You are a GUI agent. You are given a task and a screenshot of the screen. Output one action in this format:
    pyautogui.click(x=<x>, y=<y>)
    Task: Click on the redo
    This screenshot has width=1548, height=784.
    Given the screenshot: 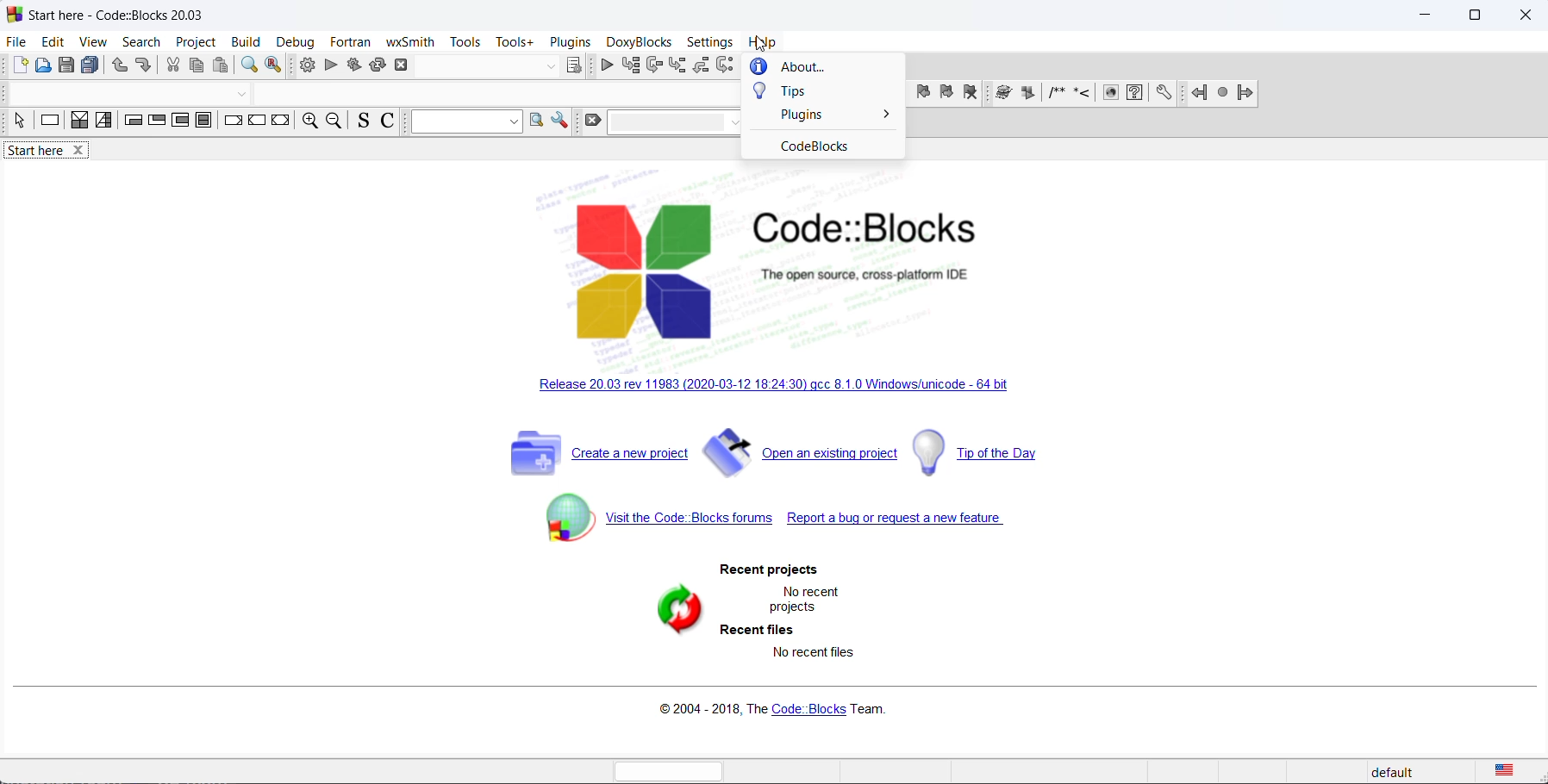 What is the action you would take?
    pyautogui.click(x=146, y=65)
    